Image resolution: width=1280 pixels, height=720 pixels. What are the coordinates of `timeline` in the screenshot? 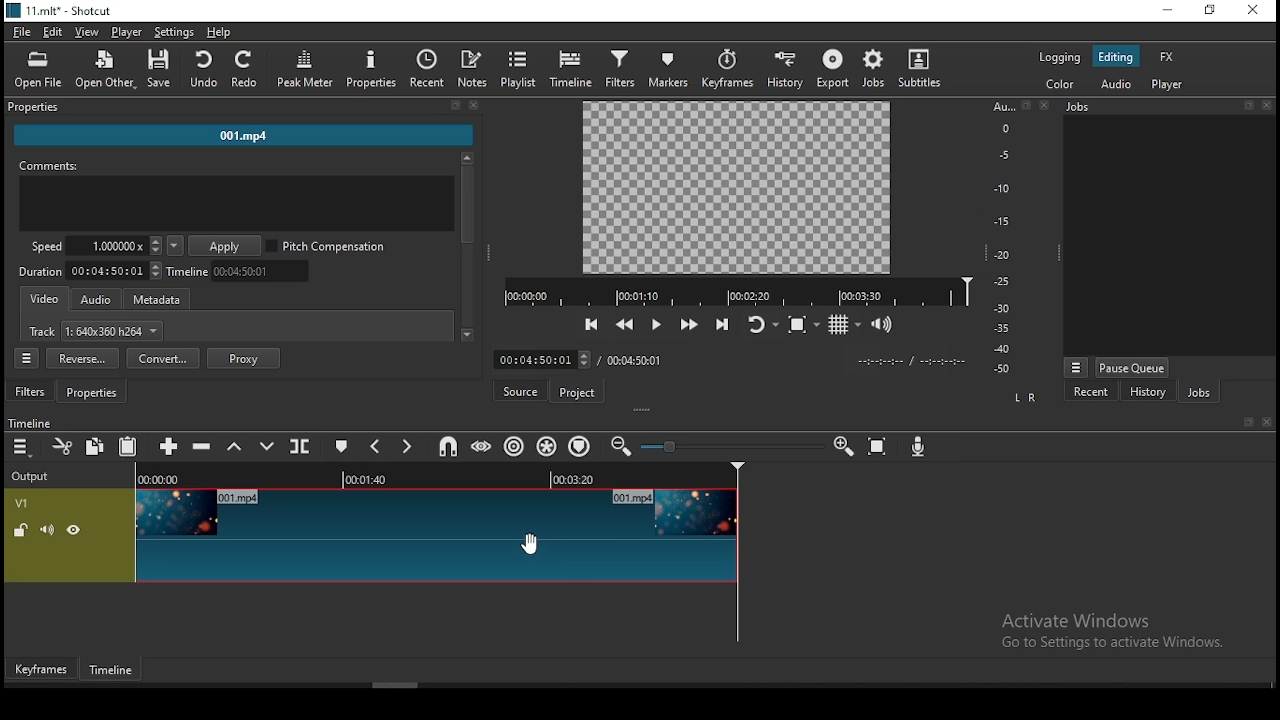 It's located at (735, 290).